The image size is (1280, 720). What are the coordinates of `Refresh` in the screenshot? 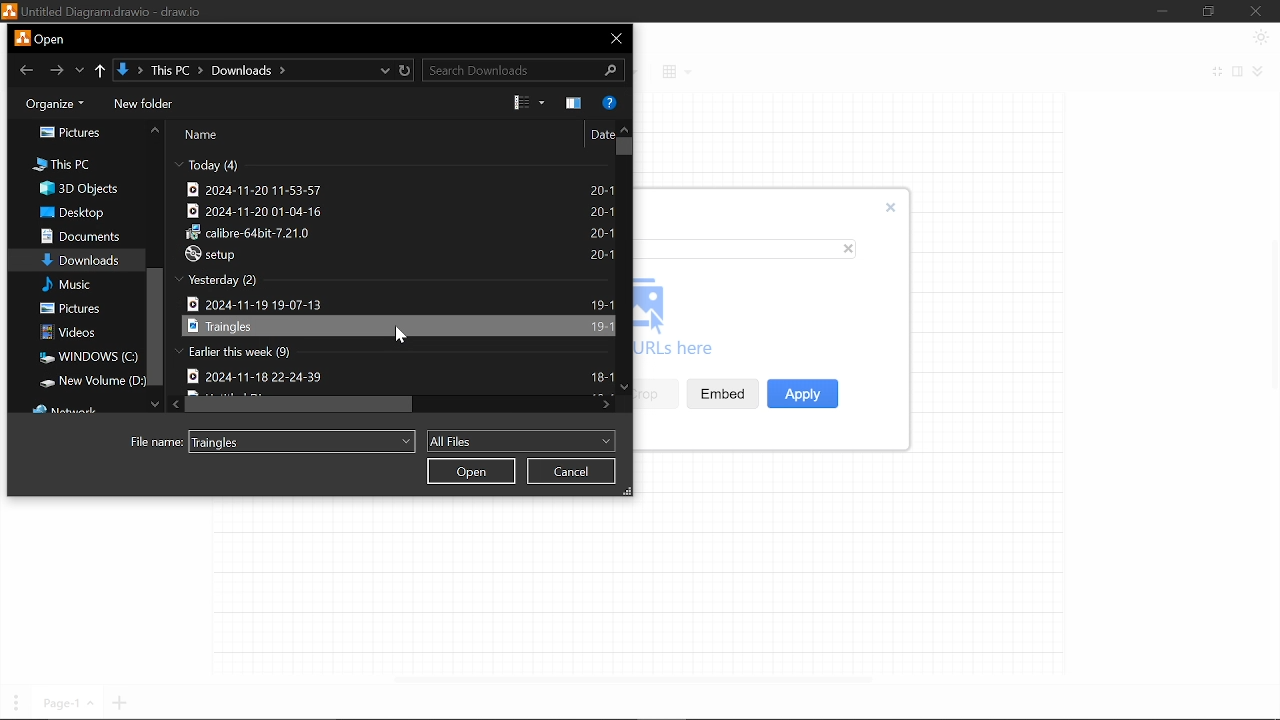 It's located at (405, 70).